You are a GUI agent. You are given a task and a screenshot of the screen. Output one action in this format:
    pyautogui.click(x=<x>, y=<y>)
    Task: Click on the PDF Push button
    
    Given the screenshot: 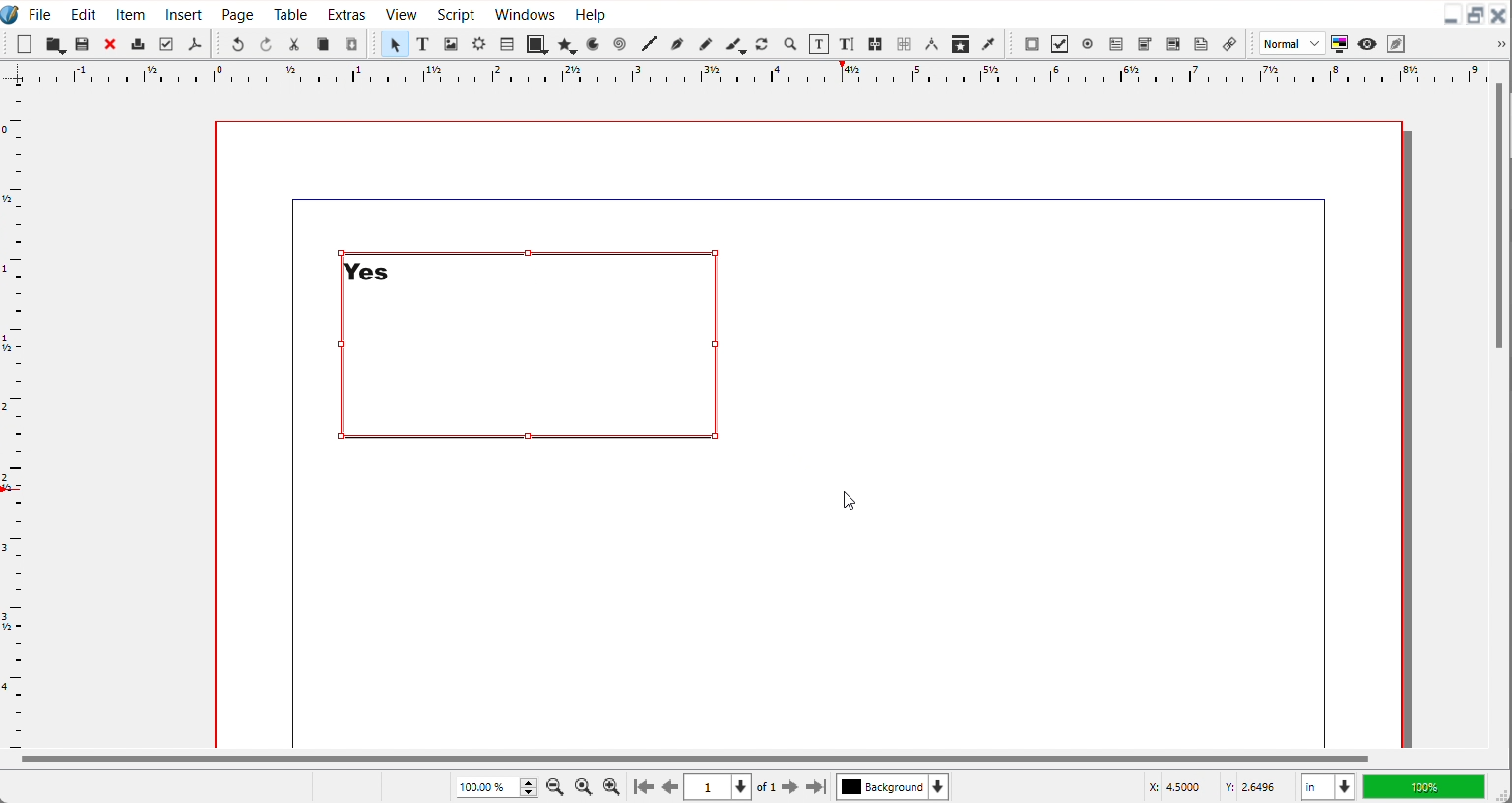 What is the action you would take?
    pyautogui.click(x=1032, y=43)
    